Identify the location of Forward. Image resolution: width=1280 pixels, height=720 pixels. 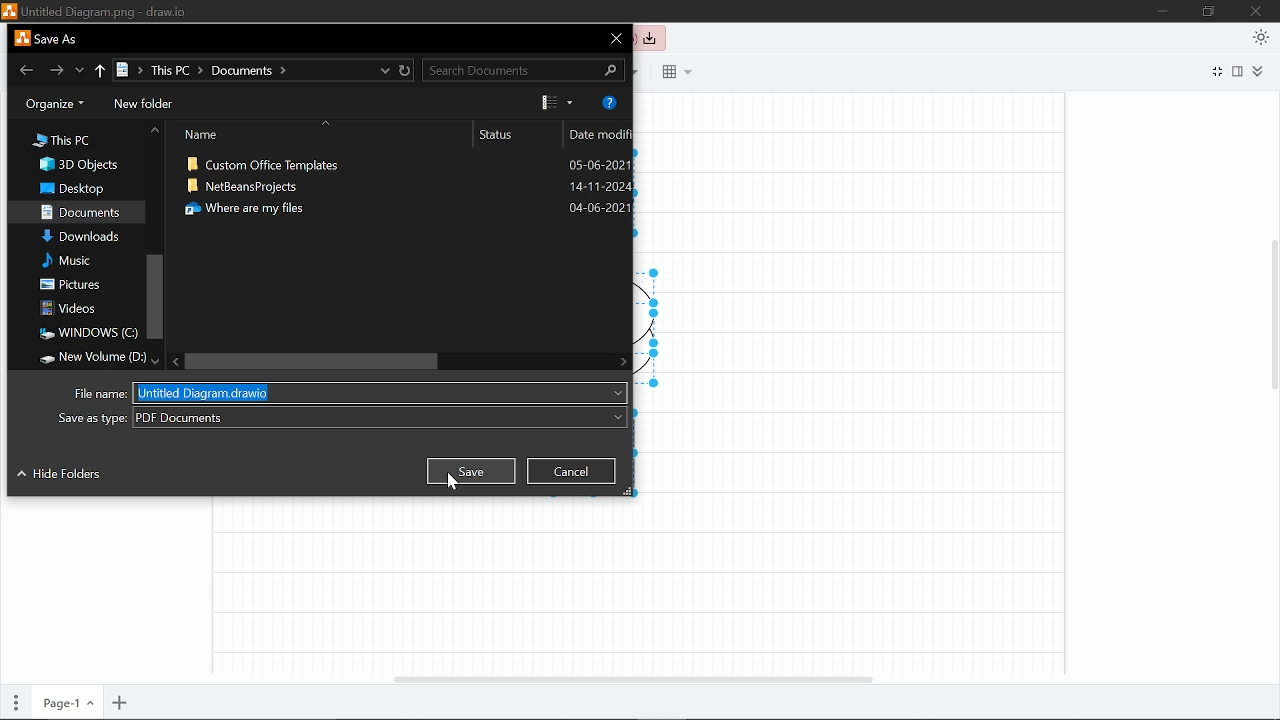
(58, 70).